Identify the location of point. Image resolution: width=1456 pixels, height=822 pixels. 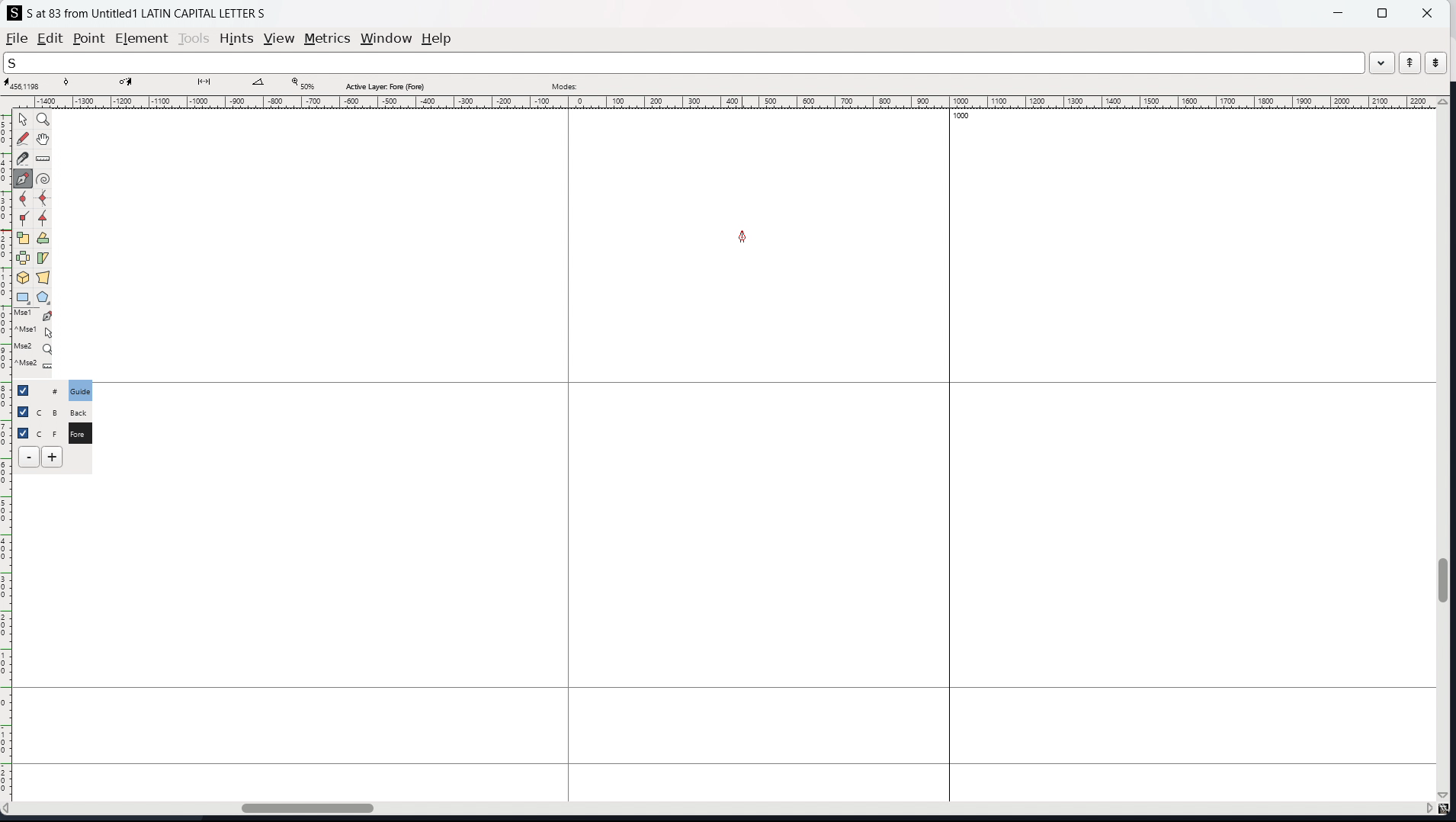
(88, 40).